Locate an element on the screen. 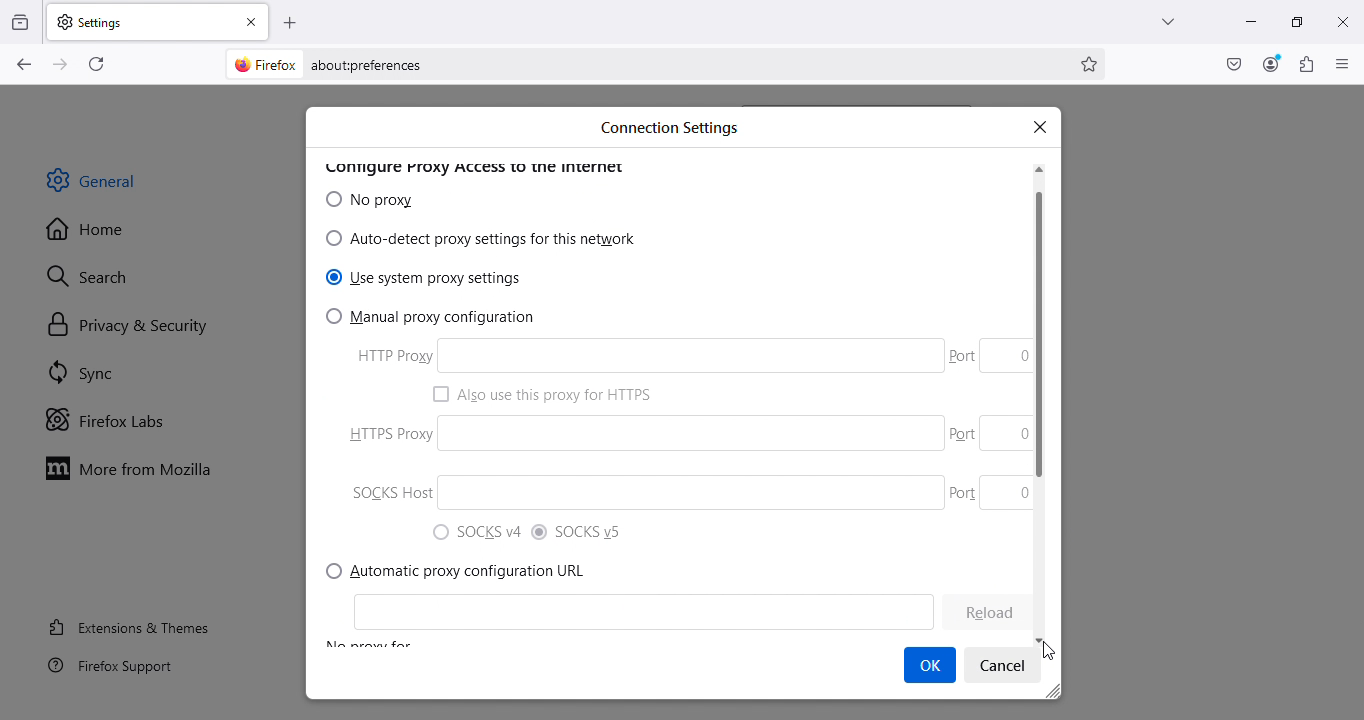  Open application menu is located at coordinates (1343, 63).